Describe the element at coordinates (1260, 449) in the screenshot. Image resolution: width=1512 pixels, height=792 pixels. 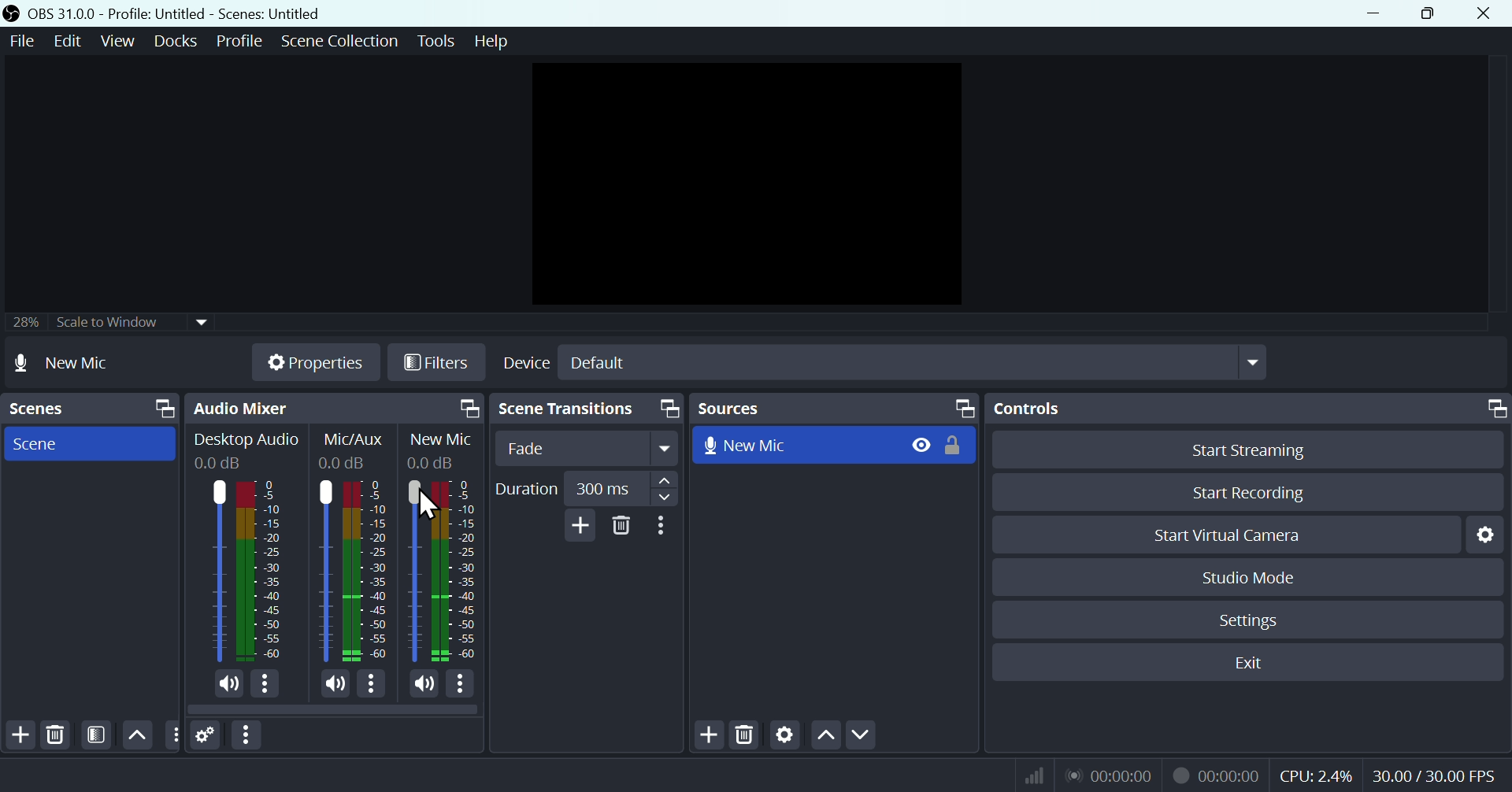
I see `` at that location.